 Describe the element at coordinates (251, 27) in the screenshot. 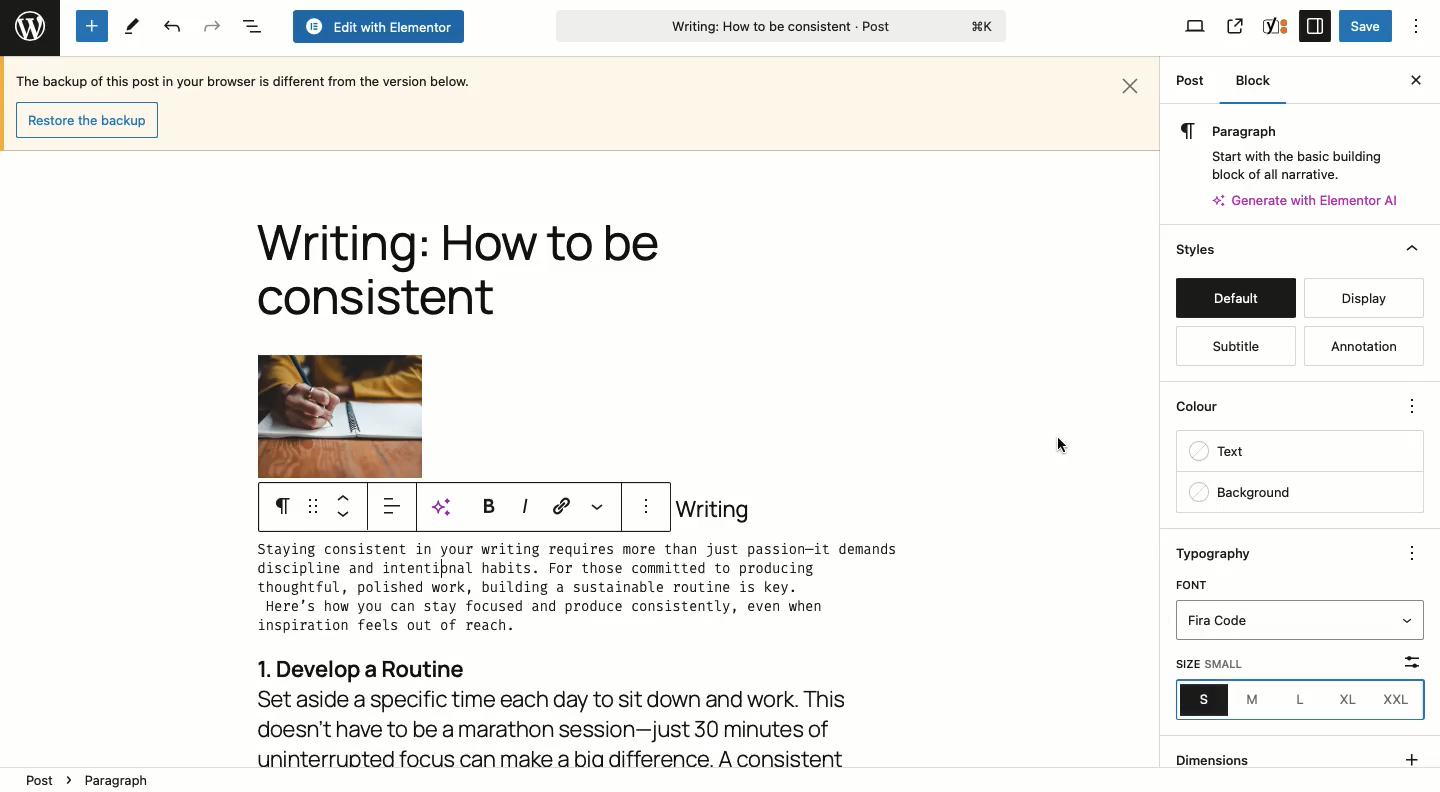

I see `Document overview` at that location.